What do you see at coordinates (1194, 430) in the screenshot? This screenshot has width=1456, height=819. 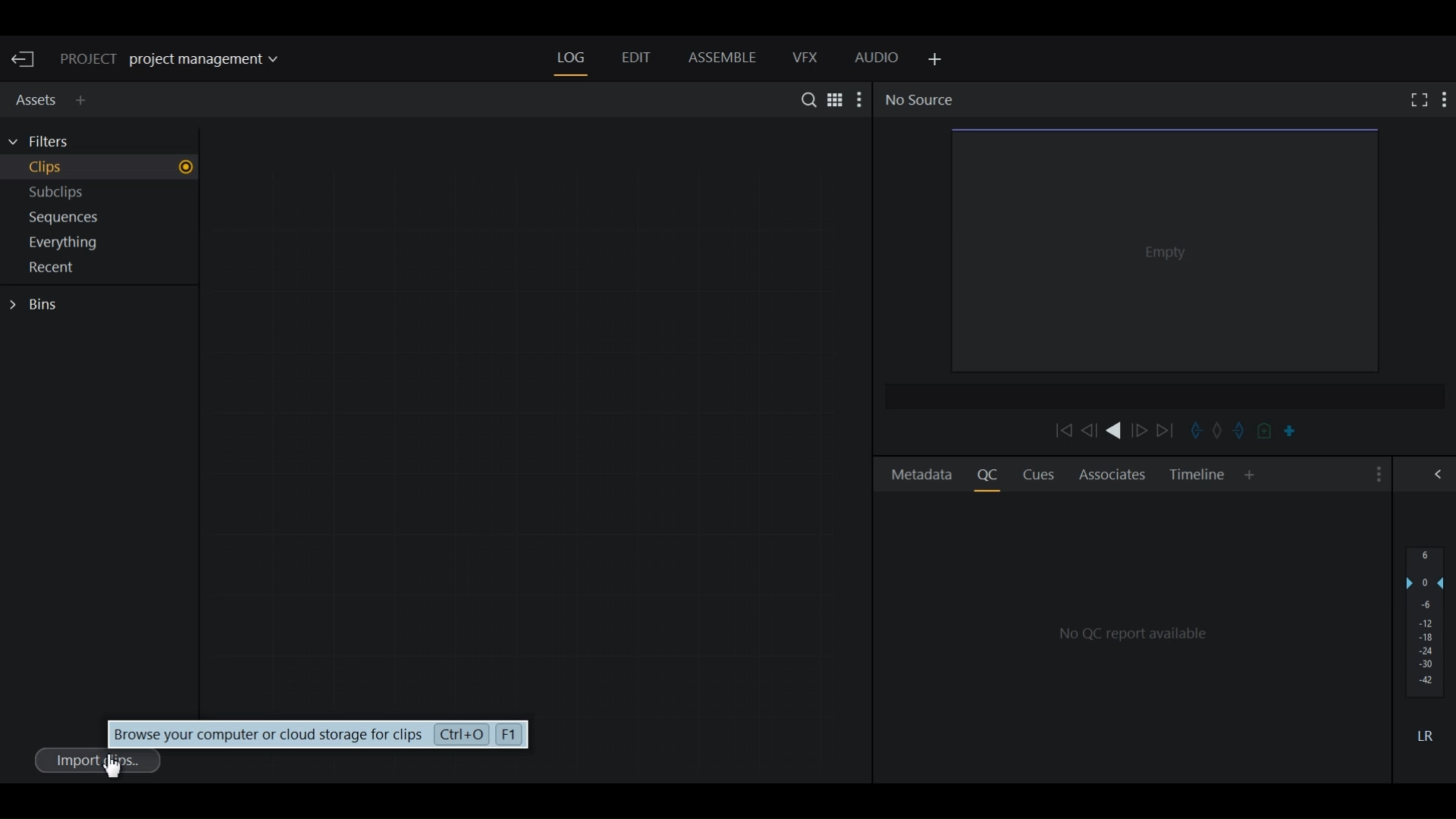 I see `Mark in` at bounding box center [1194, 430].